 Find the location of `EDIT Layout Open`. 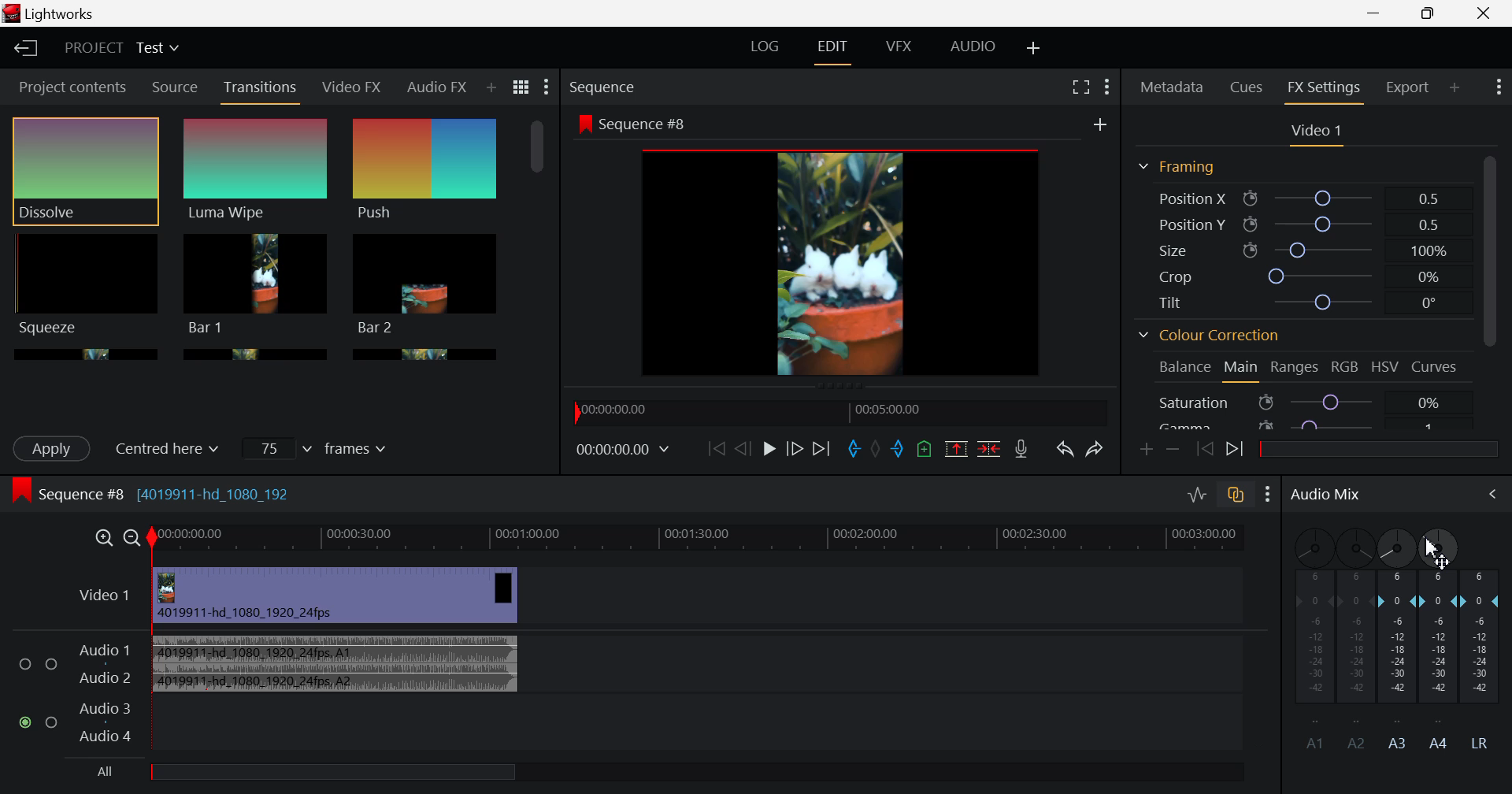

EDIT Layout Open is located at coordinates (831, 50).